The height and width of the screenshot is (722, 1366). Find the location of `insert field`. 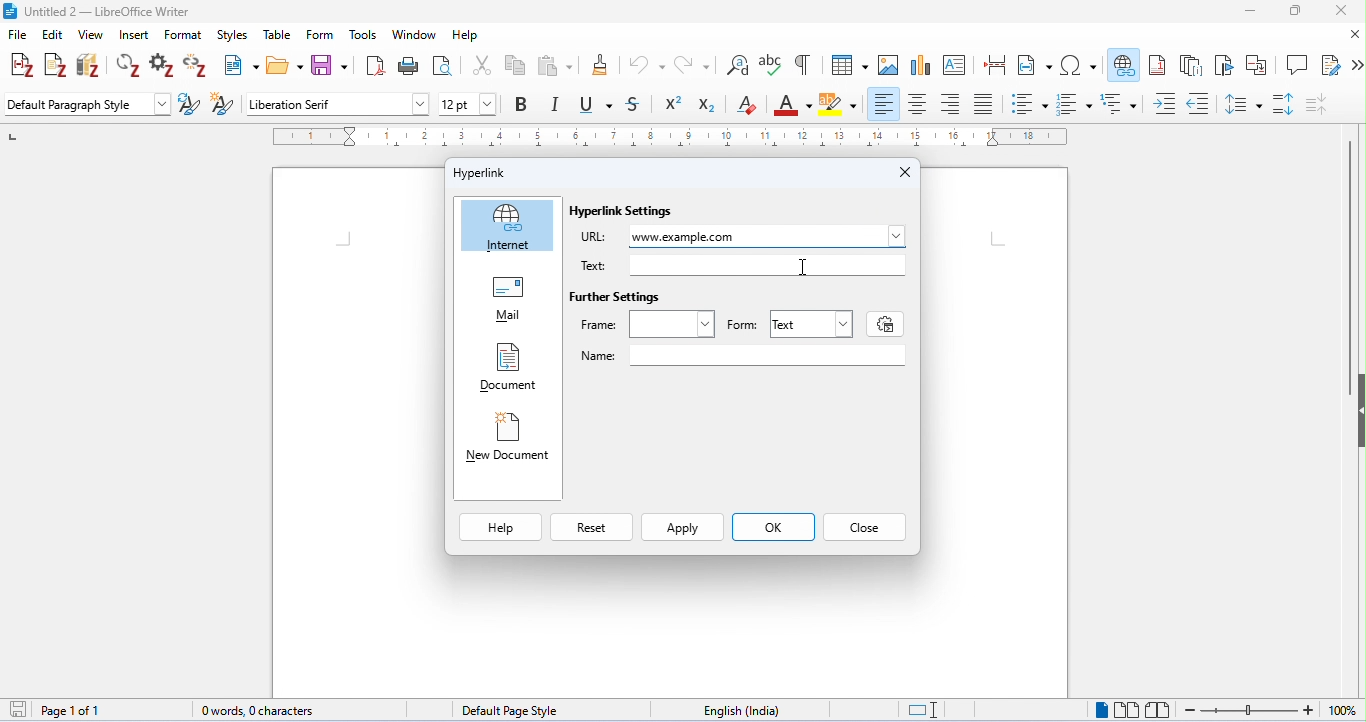

insert field is located at coordinates (1036, 64).